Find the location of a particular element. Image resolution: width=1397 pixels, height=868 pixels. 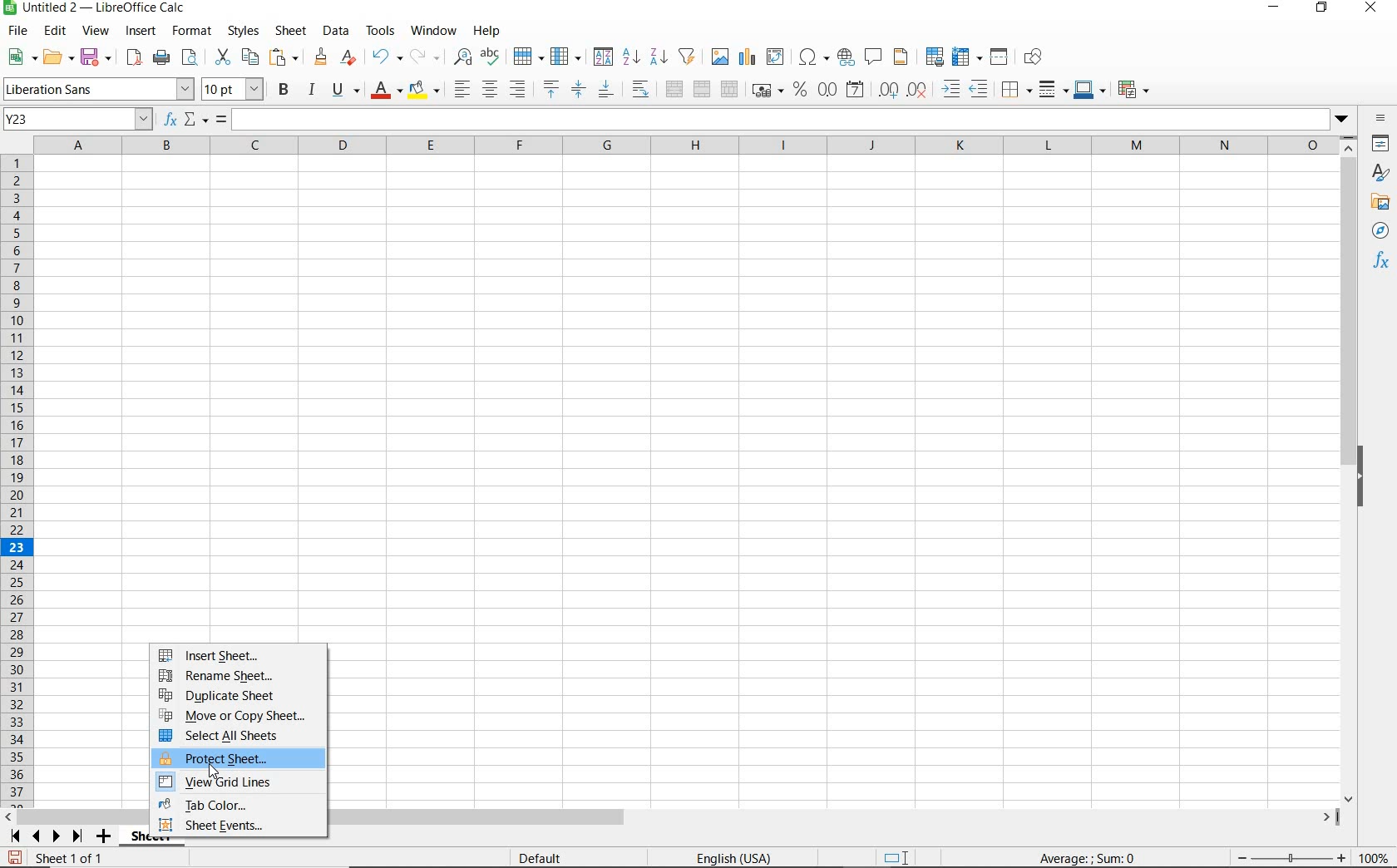

UNMERGE CELLS is located at coordinates (729, 90).